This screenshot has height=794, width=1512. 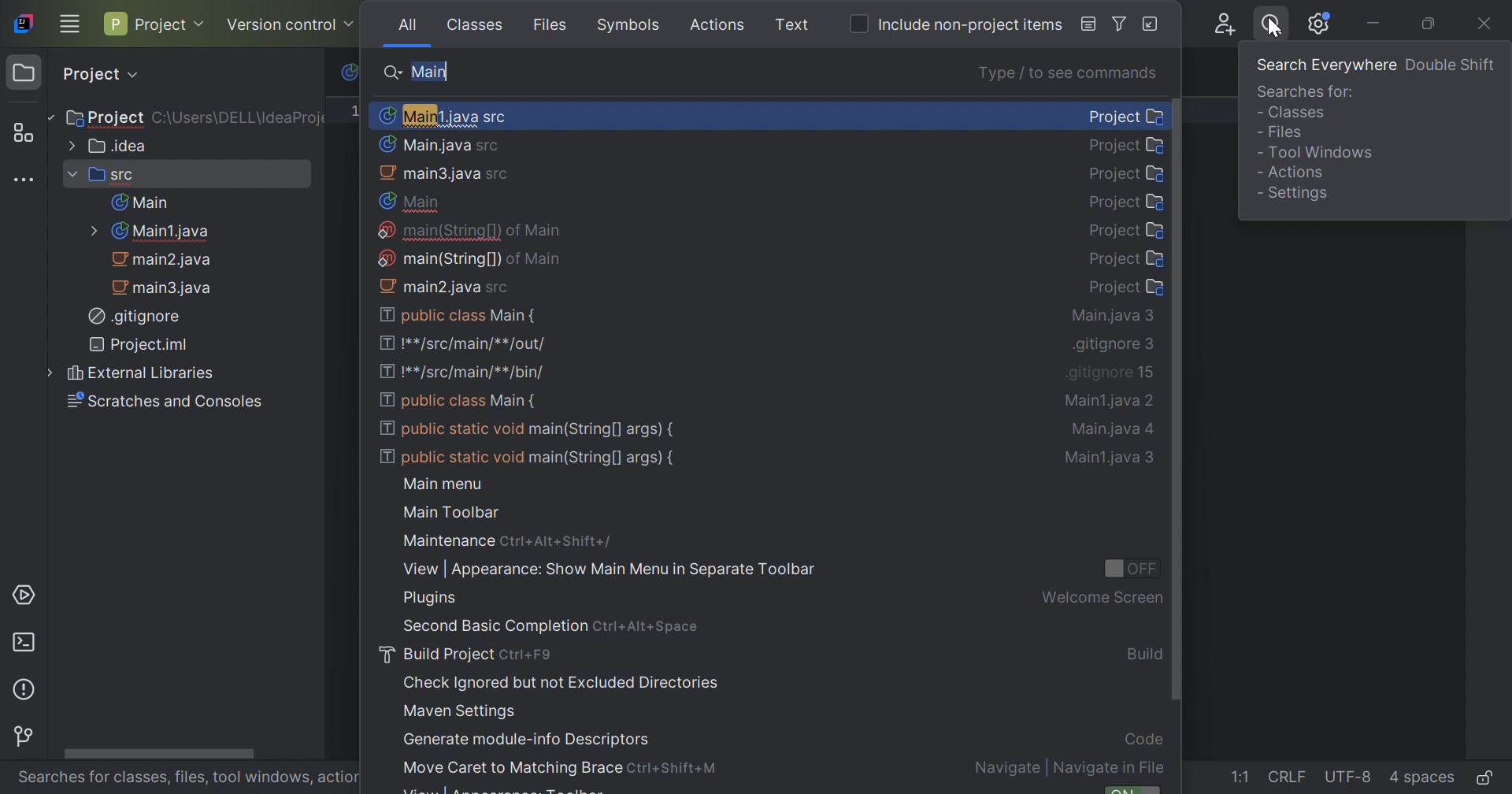 What do you see at coordinates (444, 173) in the screenshot?
I see `main.java src` at bounding box center [444, 173].